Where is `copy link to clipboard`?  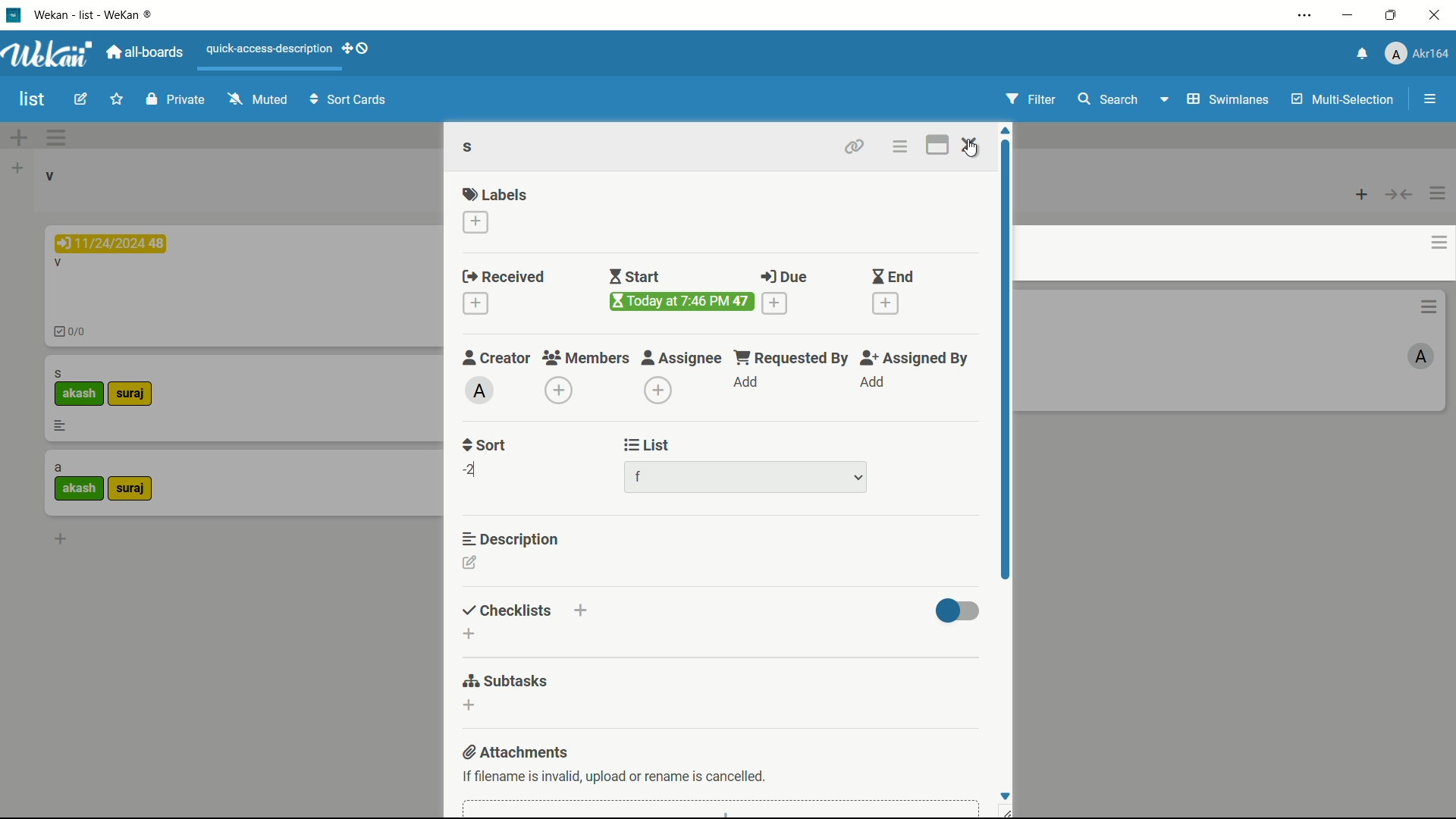 copy link to clipboard is located at coordinates (855, 146).